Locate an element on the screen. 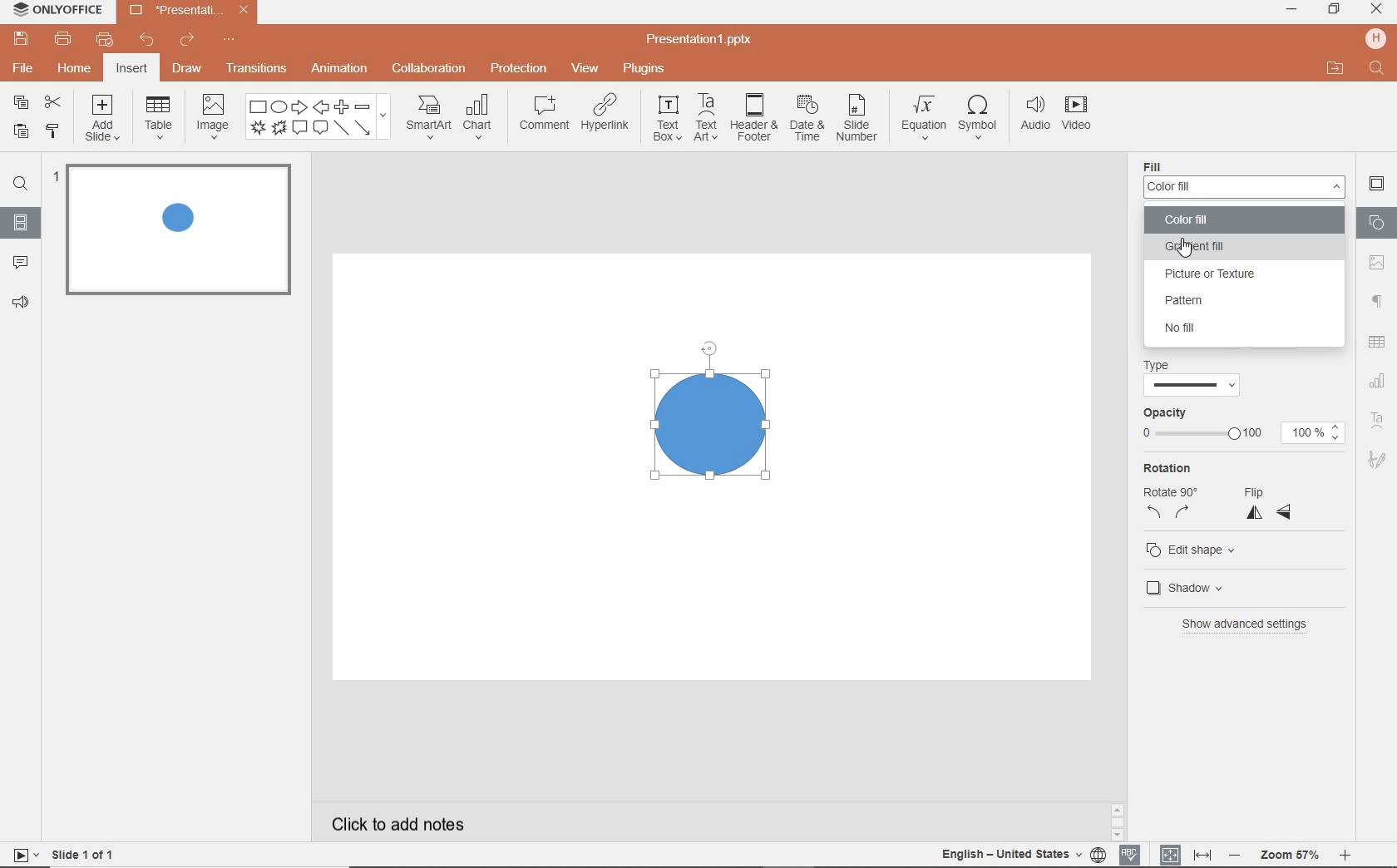 The width and height of the screenshot is (1397, 868). date & time is located at coordinates (807, 119).